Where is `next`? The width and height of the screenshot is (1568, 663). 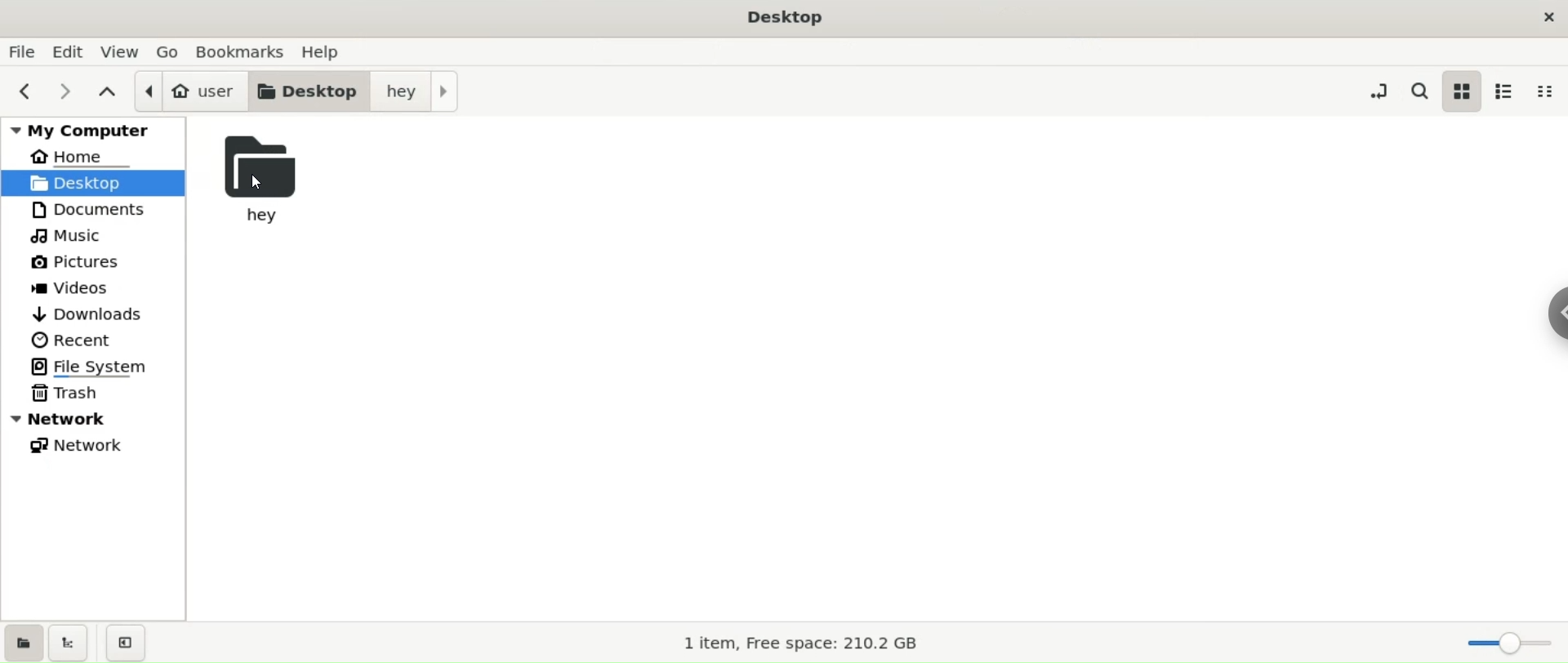 next is located at coordinates (69, 93).